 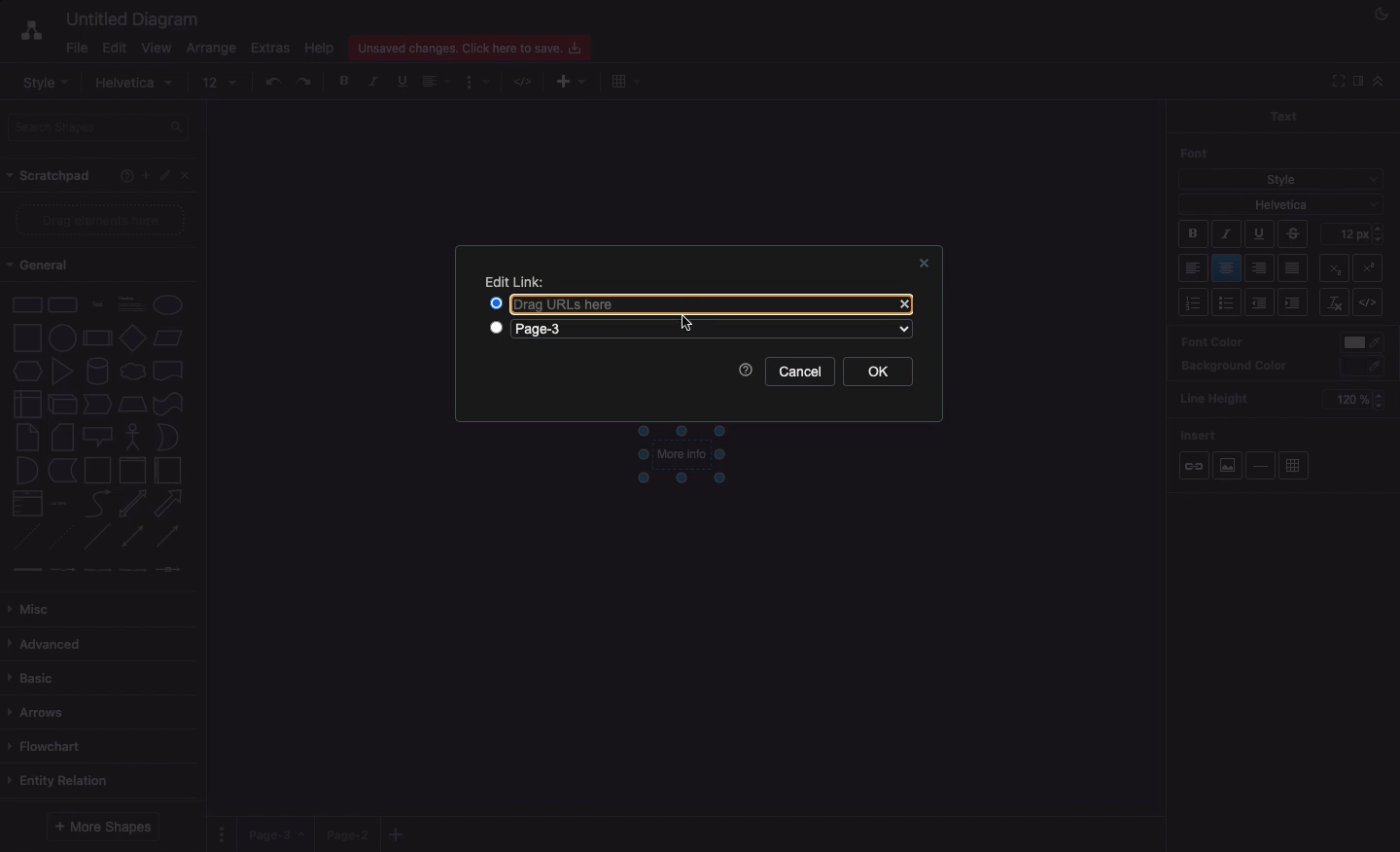 What do you see at coordinates (1221, 396) in the screenshot?
I see `Line height` at bounding box center [1221, 396].